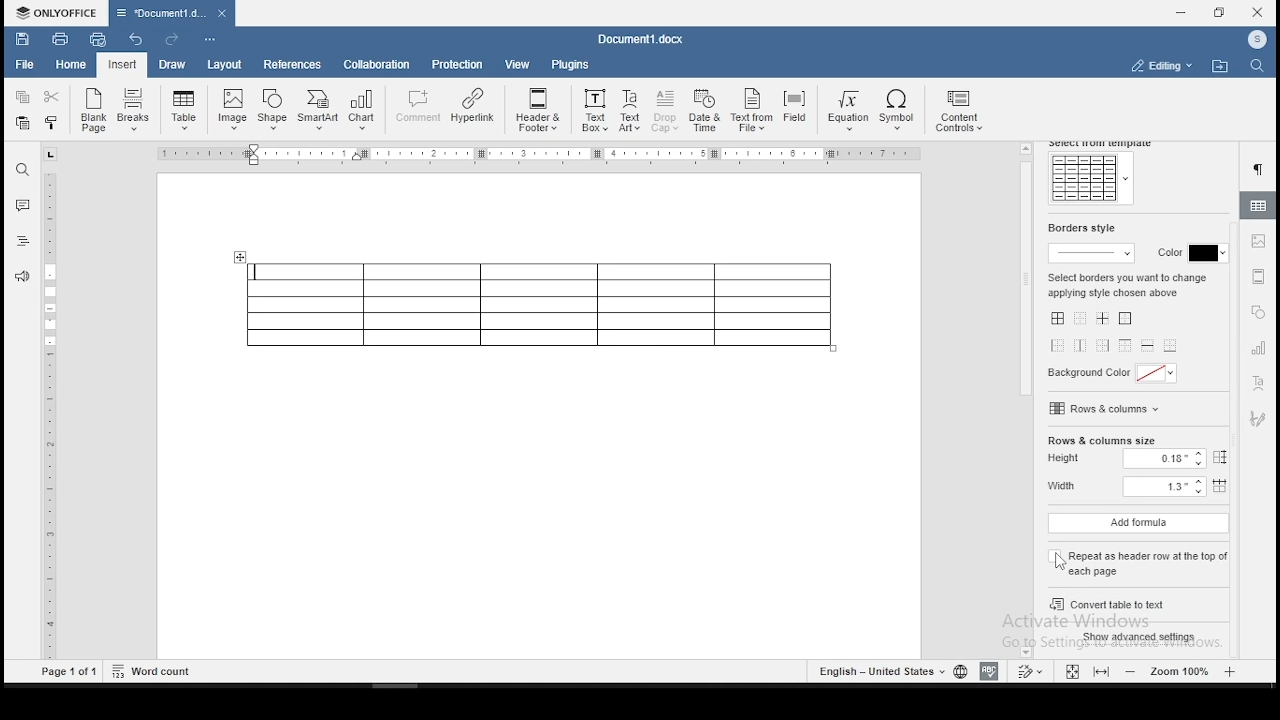 The width and height of the screenshot is (1280, 720). Describe the element at coordinates (1257, 13) in the screenshot. I see `close window` at that location.